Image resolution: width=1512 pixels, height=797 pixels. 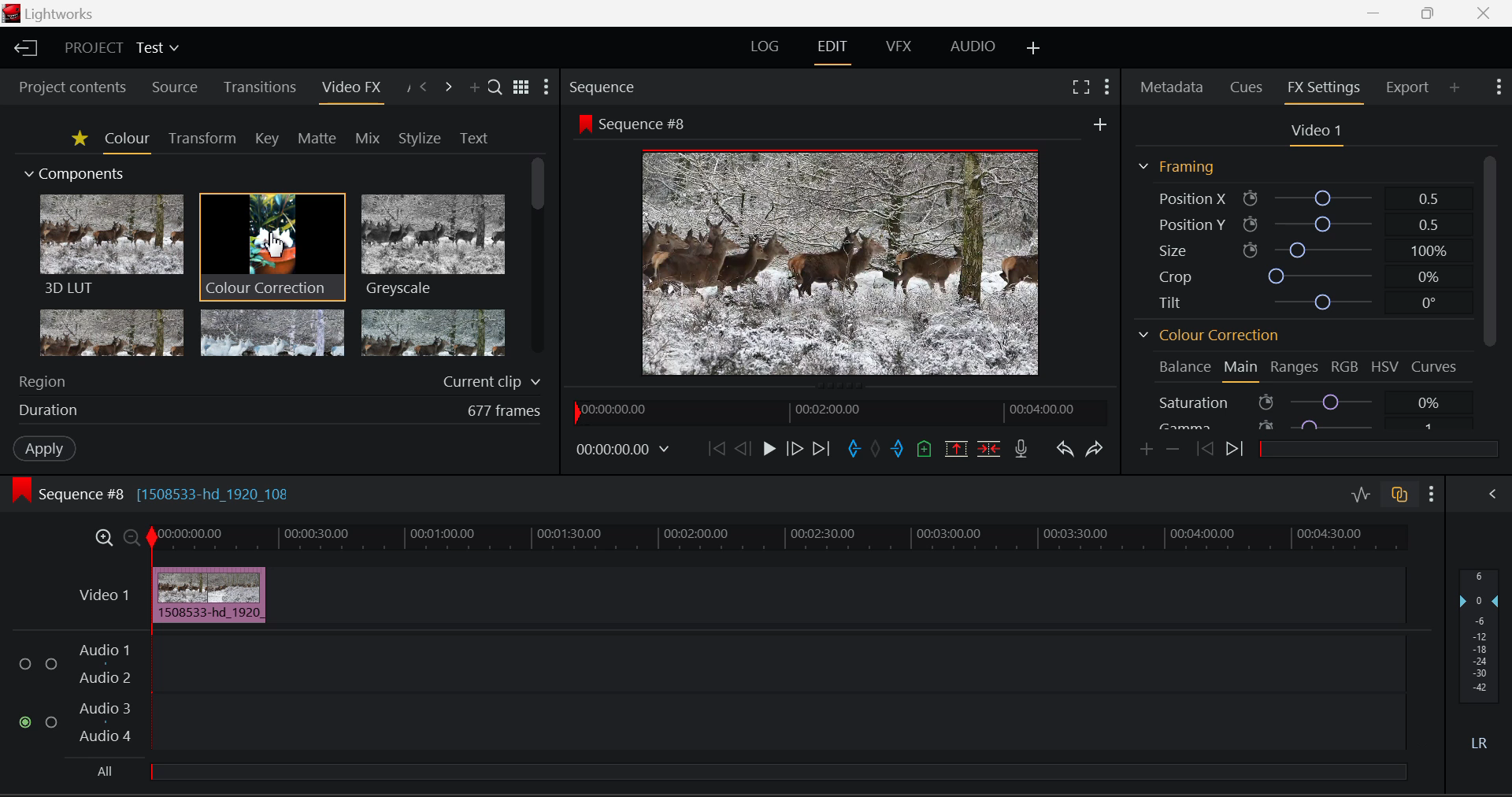 I want to click on Play, so click(x=767, y=450).